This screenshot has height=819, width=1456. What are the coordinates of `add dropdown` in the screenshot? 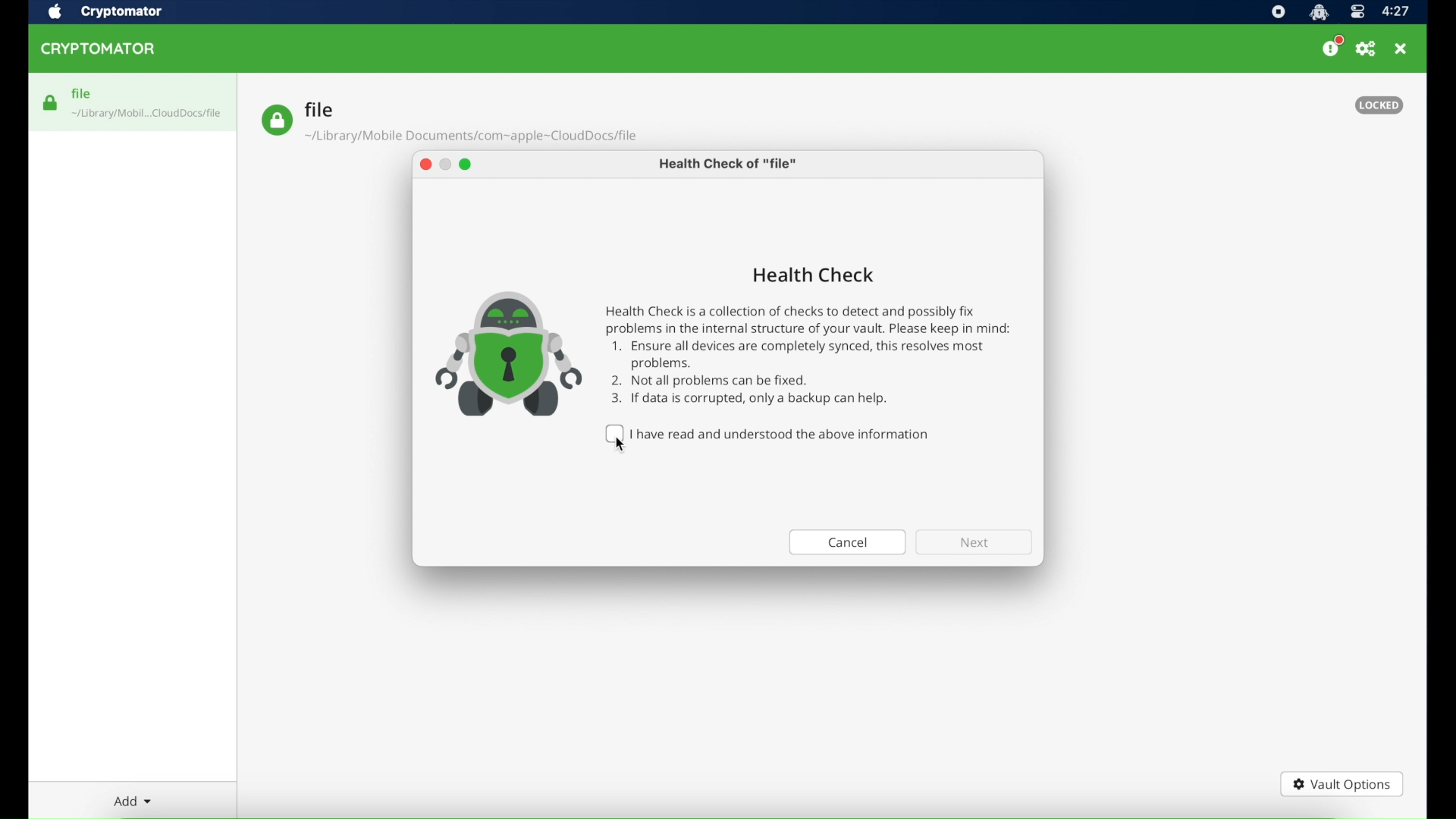 It's located at (130, 801).